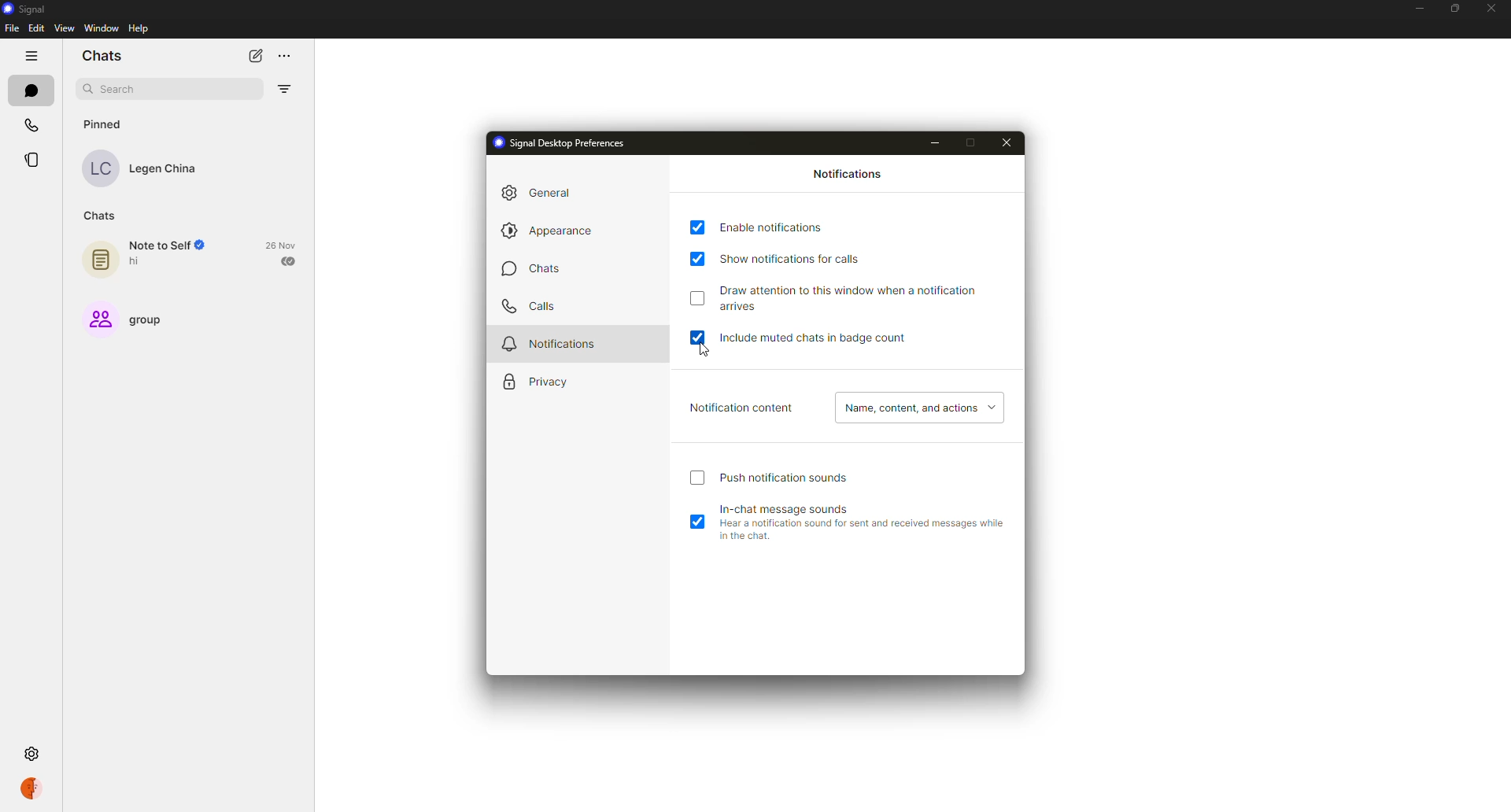  Describe the element at coordinates (36, 790) in the screenshot. I see `quick settings` at that location.